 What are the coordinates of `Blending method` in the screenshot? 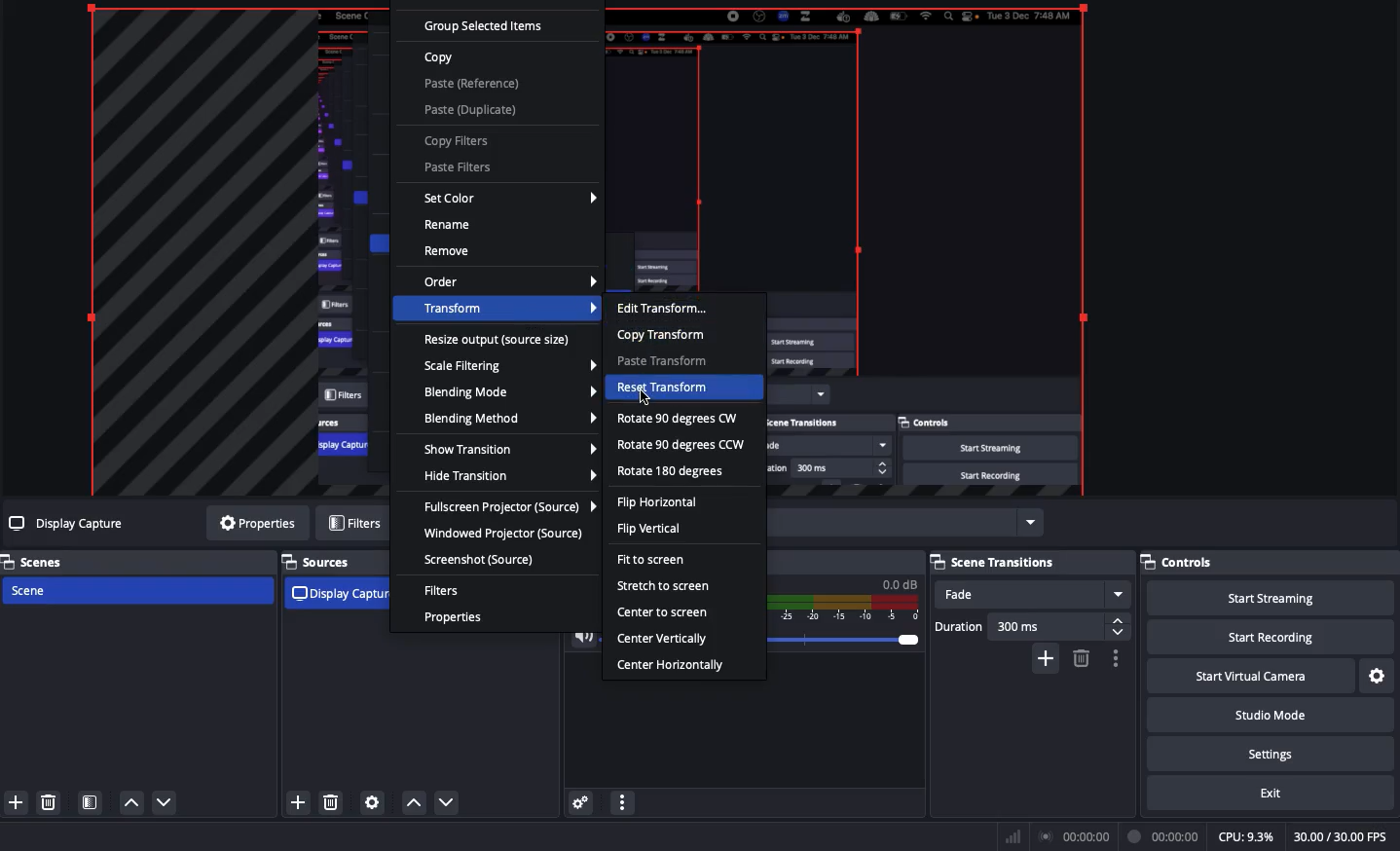 It's located at (509, 420).